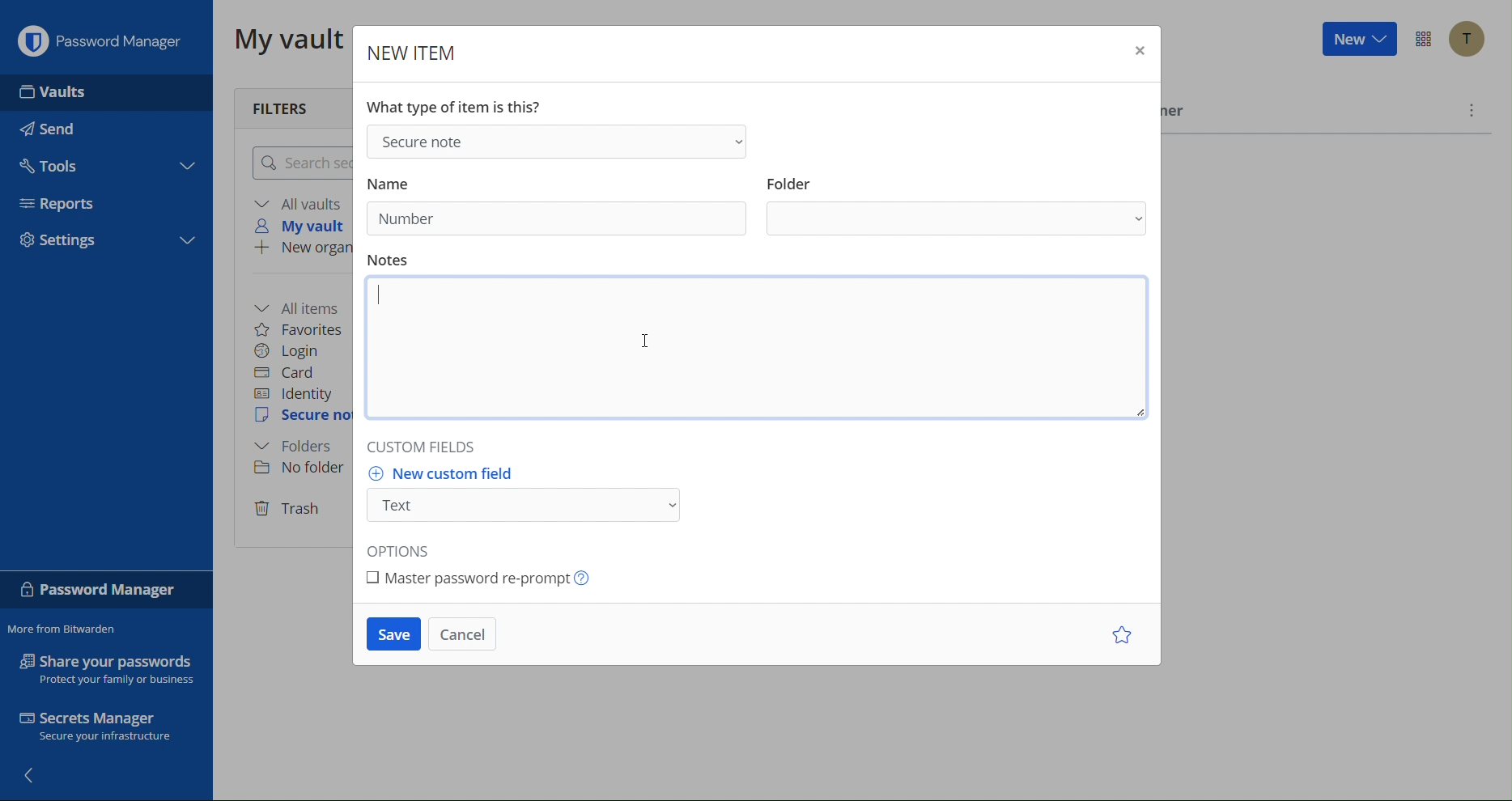 The height and width of the screenshot is (801, 1512). What do you see at coordinates (304, 306) in the screenshot?
I see `All items` at bounding box center [304, 306].